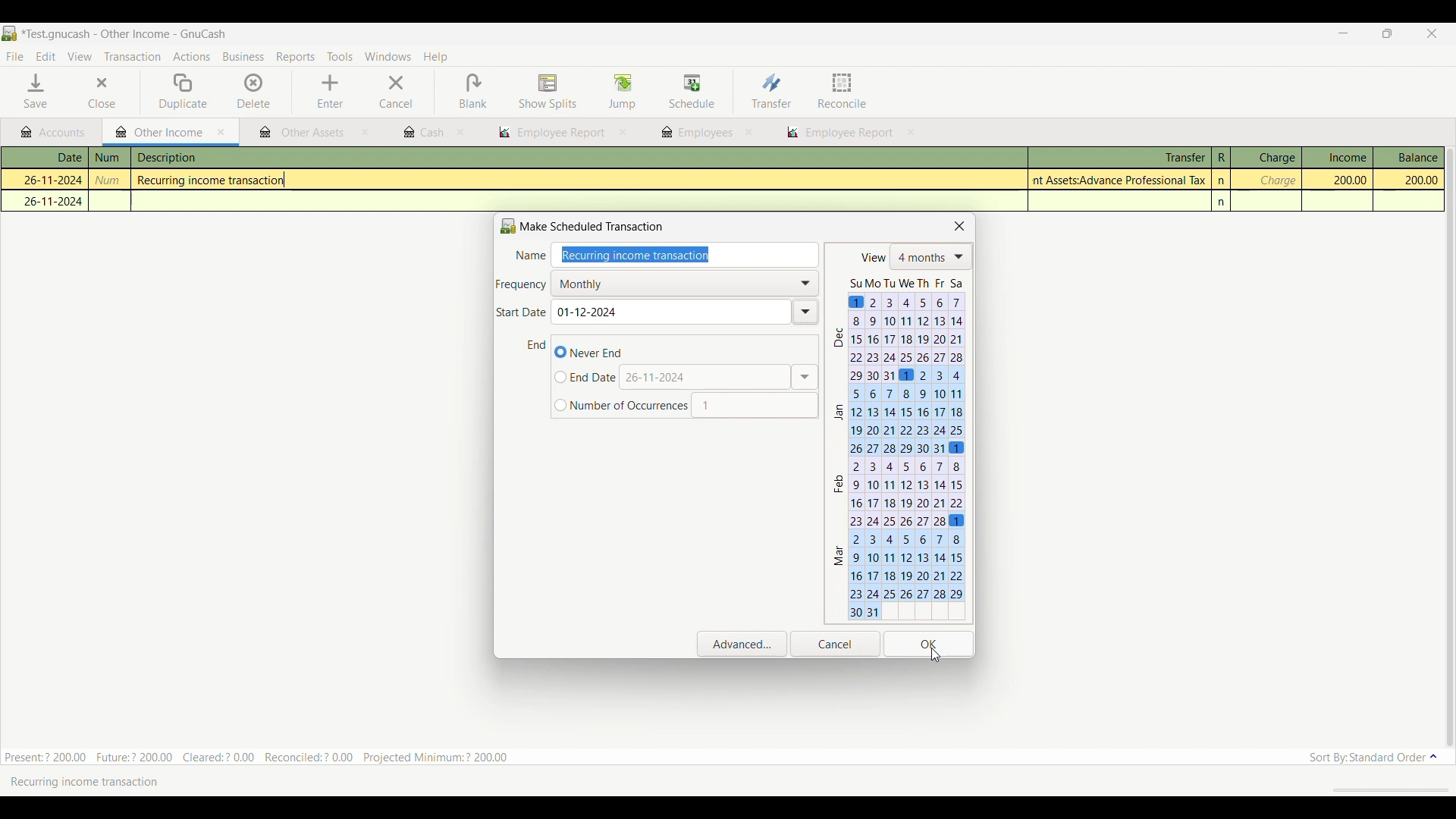 This screenshot has width=1456, height=819. Describe the element at coordinates (1342, 180) in the screenshot. I see `200.00` at that location.